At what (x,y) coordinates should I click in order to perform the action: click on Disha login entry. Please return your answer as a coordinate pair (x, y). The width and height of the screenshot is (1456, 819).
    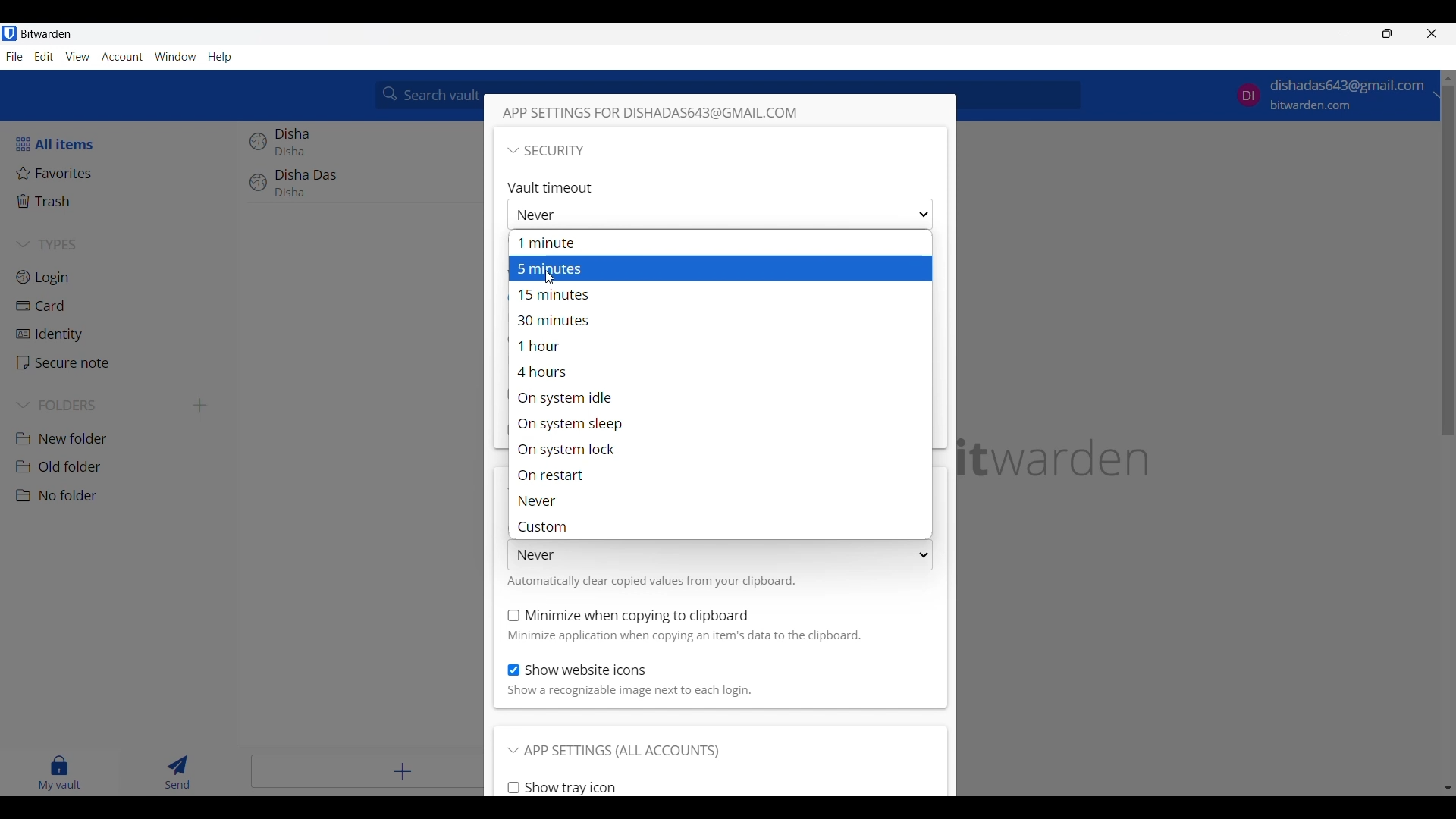
    Looking at the image, I should click on (360, 145).